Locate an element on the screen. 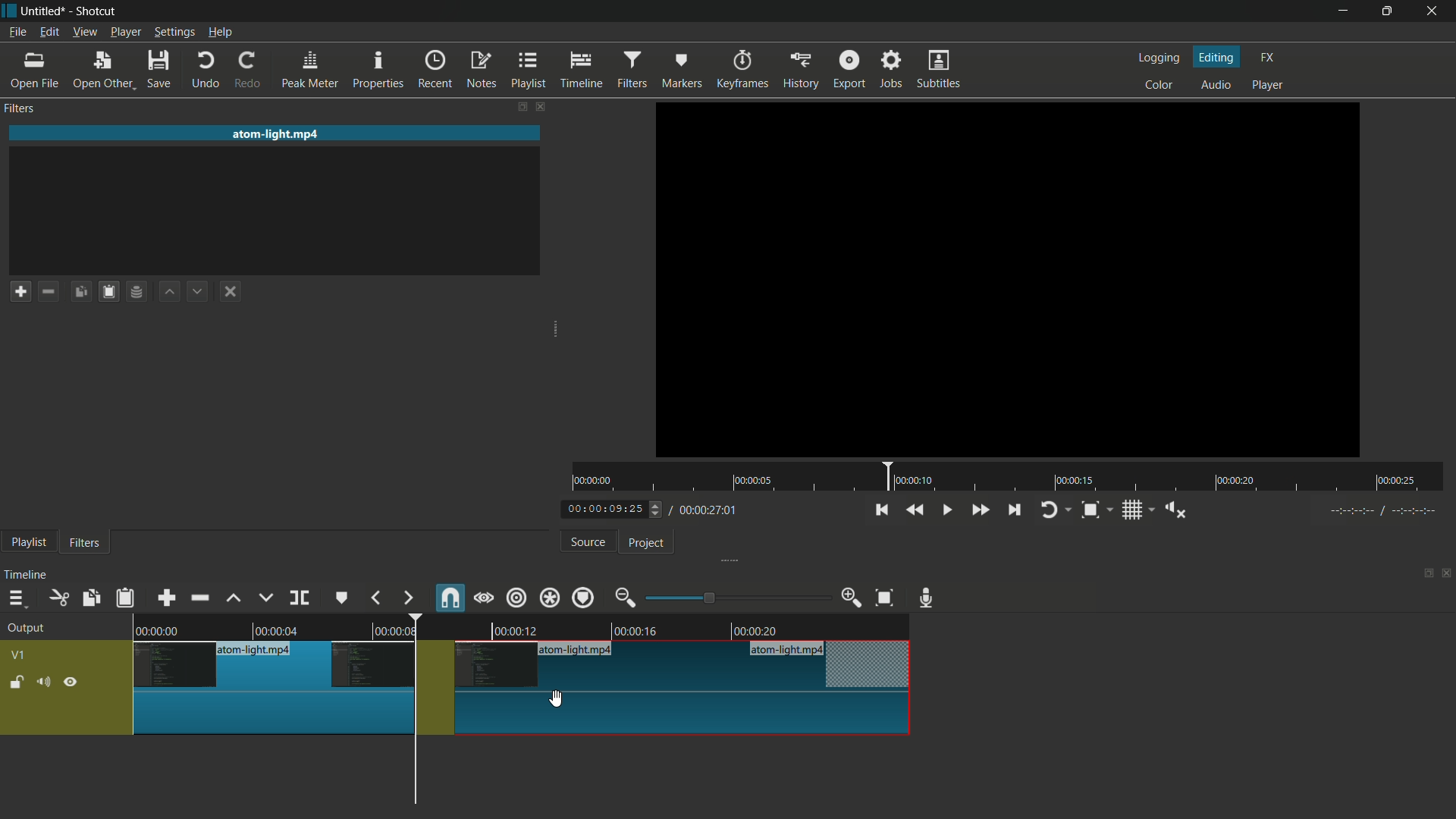  change layout is located at coordinates (516, 106).